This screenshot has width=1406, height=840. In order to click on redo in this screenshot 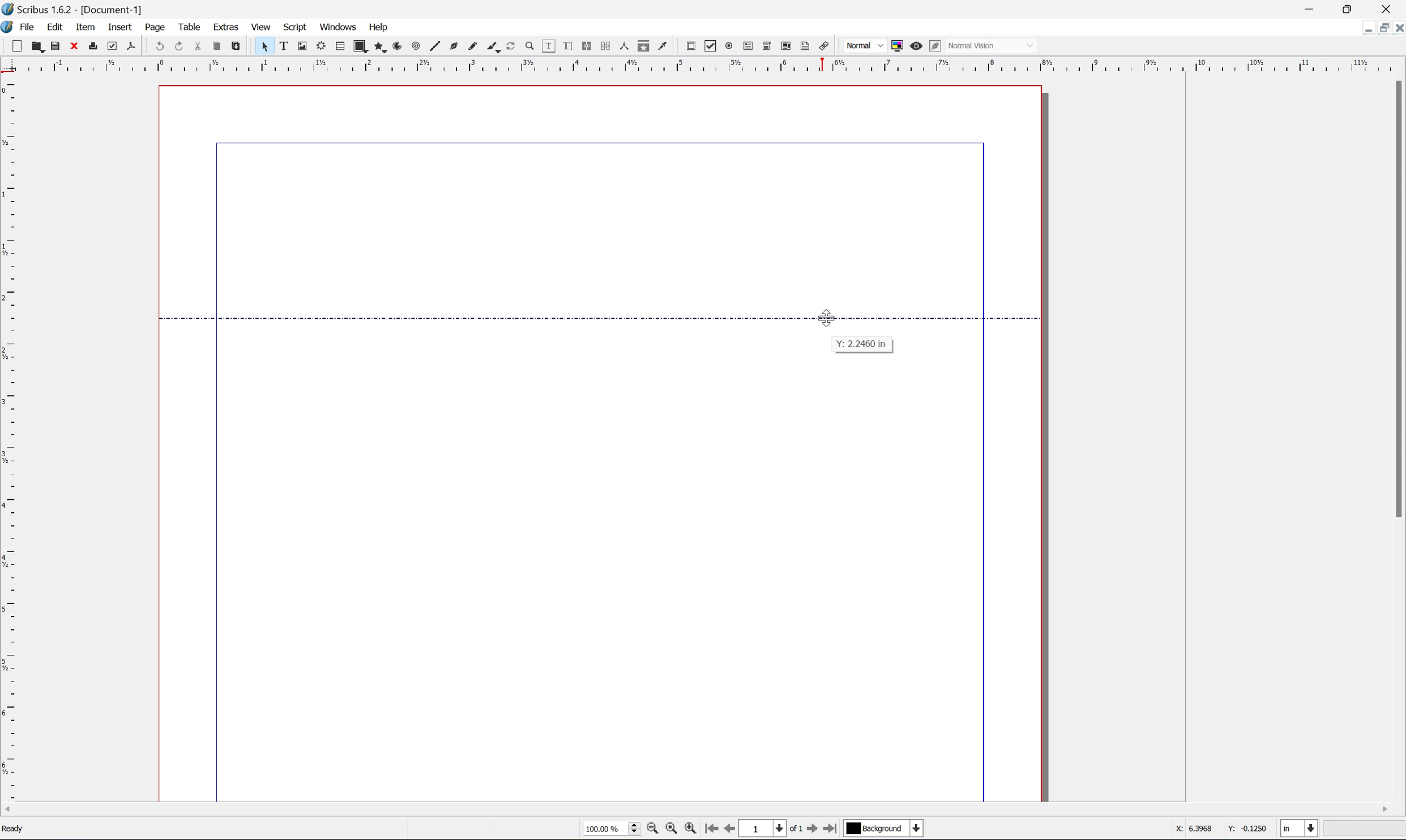, I will do `click(182, 45)`.